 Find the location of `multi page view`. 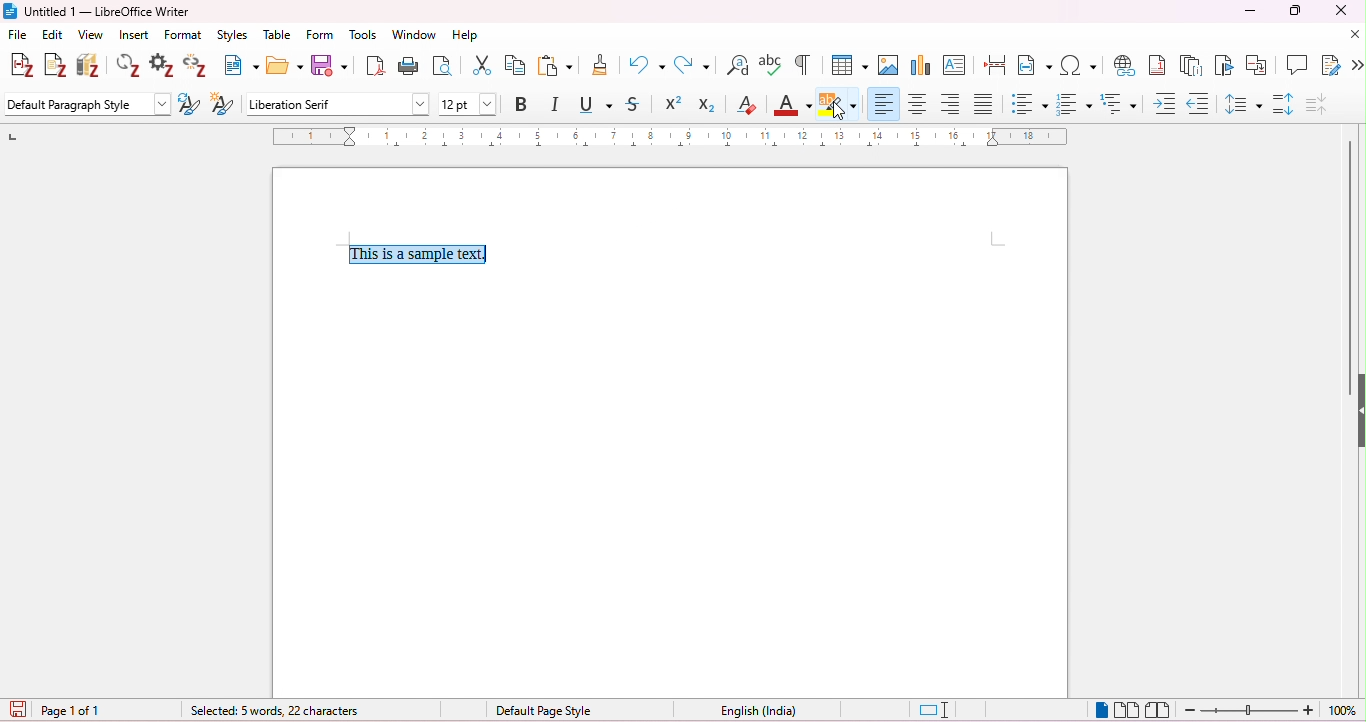

multi page view is located at coordinates (1127, 710).